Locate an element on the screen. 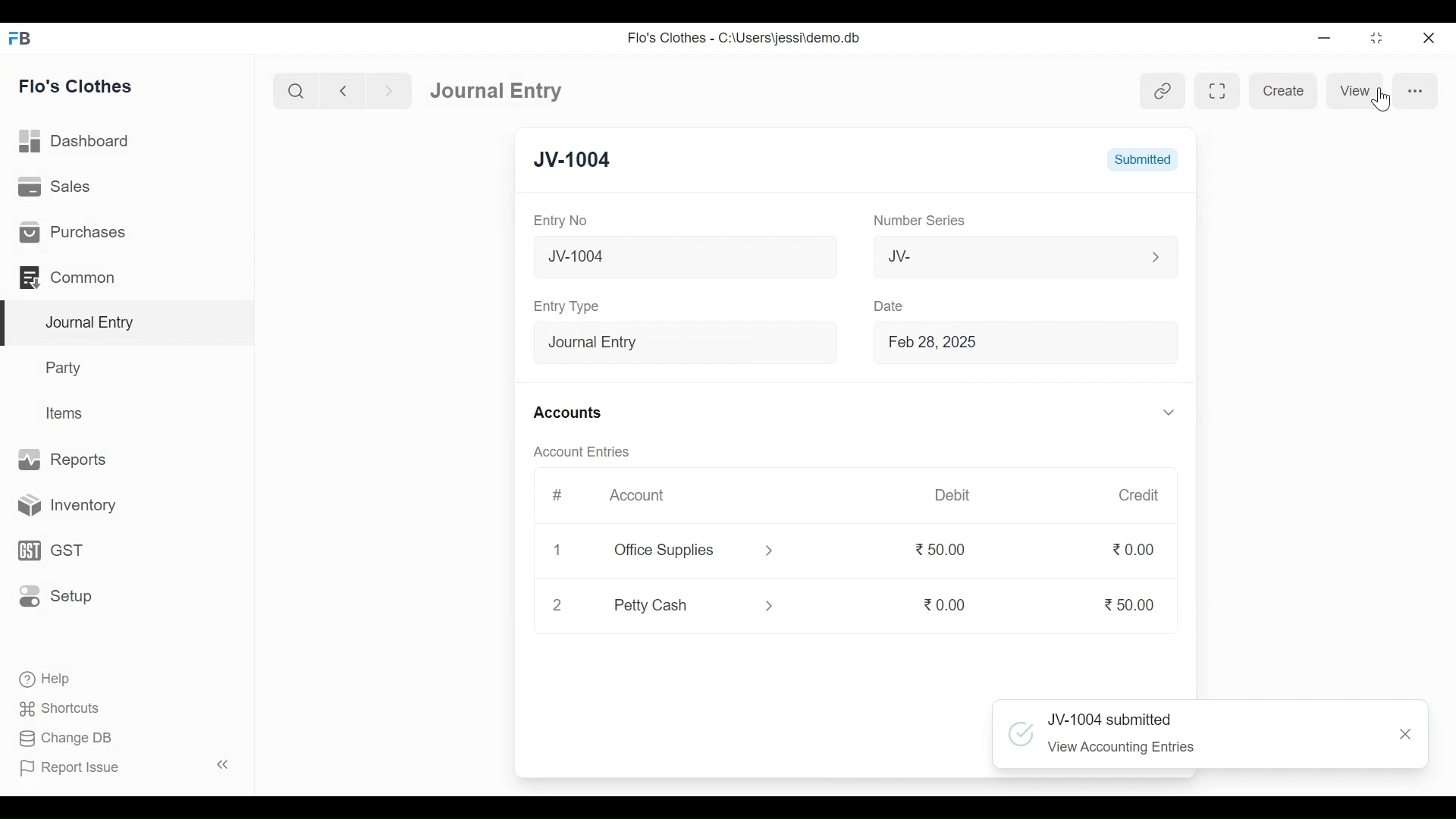  Entry Type is located at coordinates (670, 344).